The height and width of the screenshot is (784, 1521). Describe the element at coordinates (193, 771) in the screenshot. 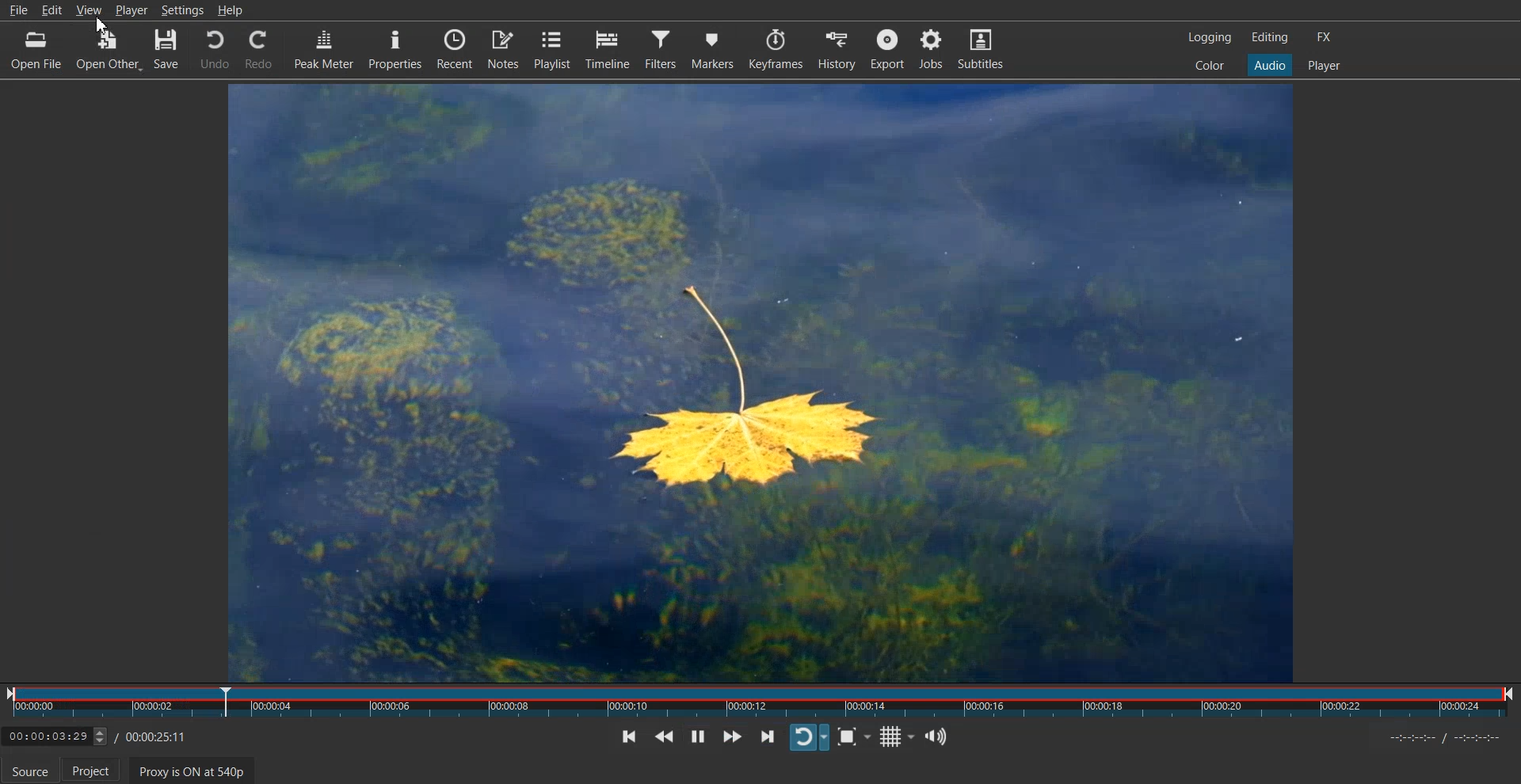

I see `Proxy is ON at 540p` at that location.